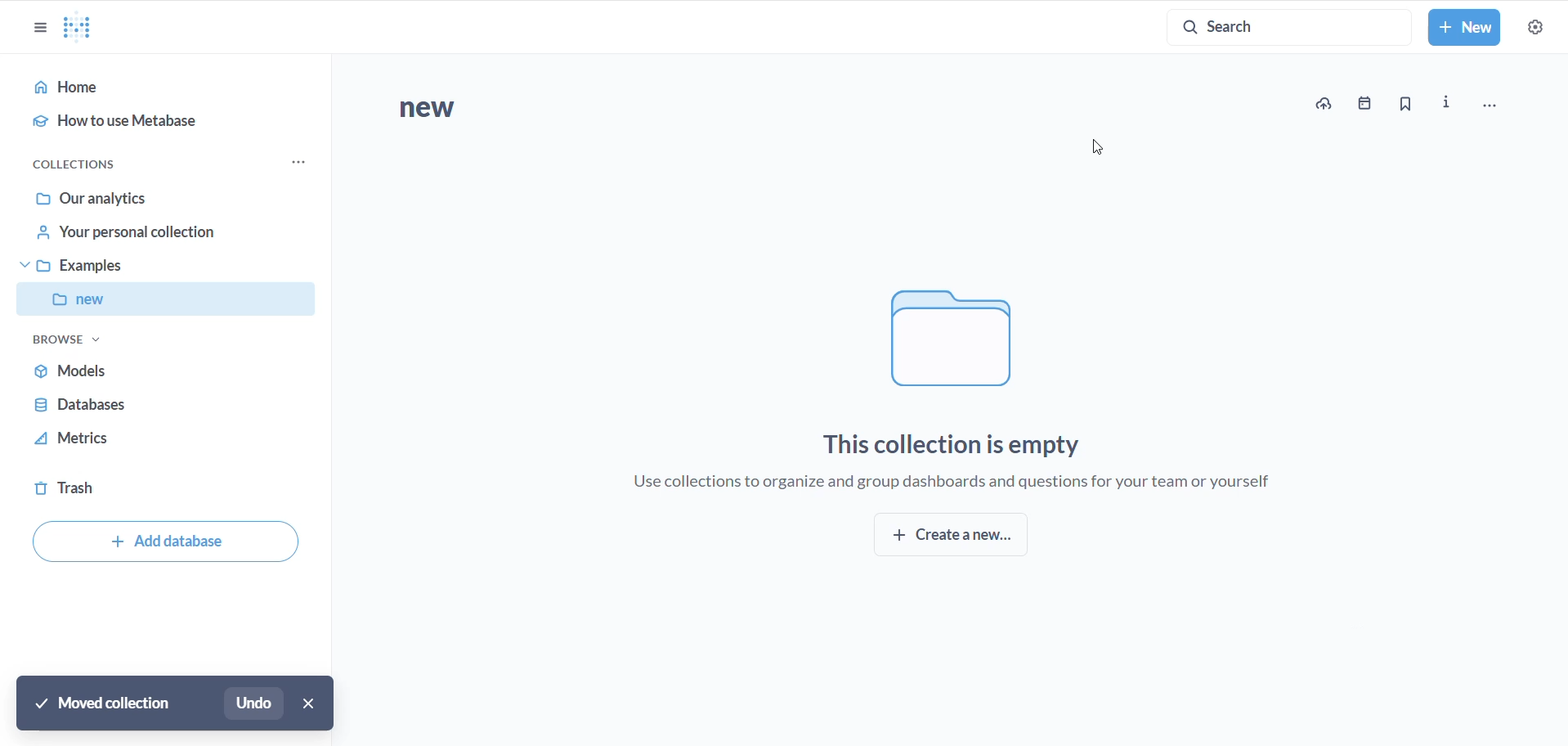  Describe the element at coordinates (1369, 105) in the screenshot. I see `date` at that location.